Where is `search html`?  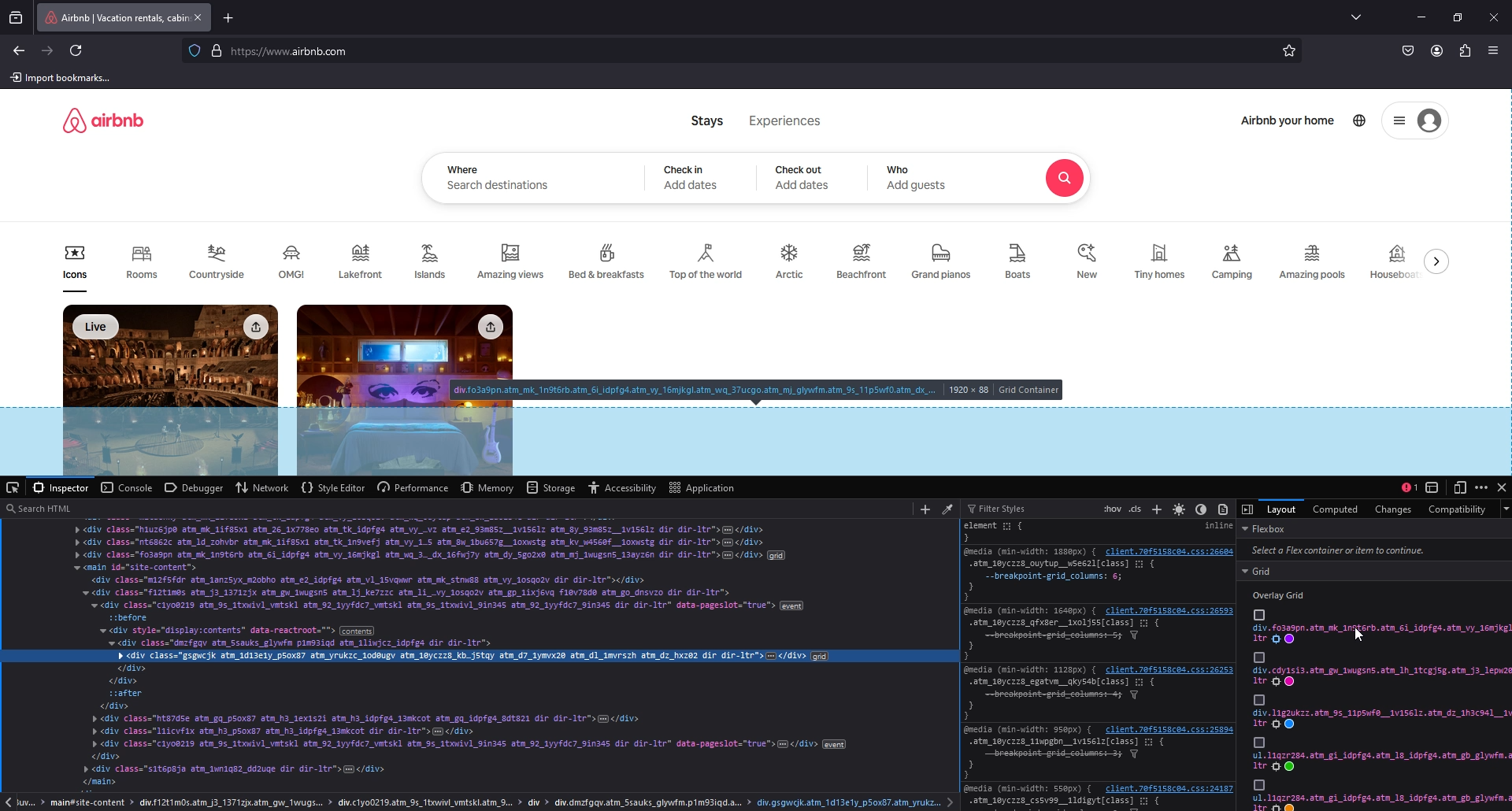 search html is located at coordinates (454, 508).